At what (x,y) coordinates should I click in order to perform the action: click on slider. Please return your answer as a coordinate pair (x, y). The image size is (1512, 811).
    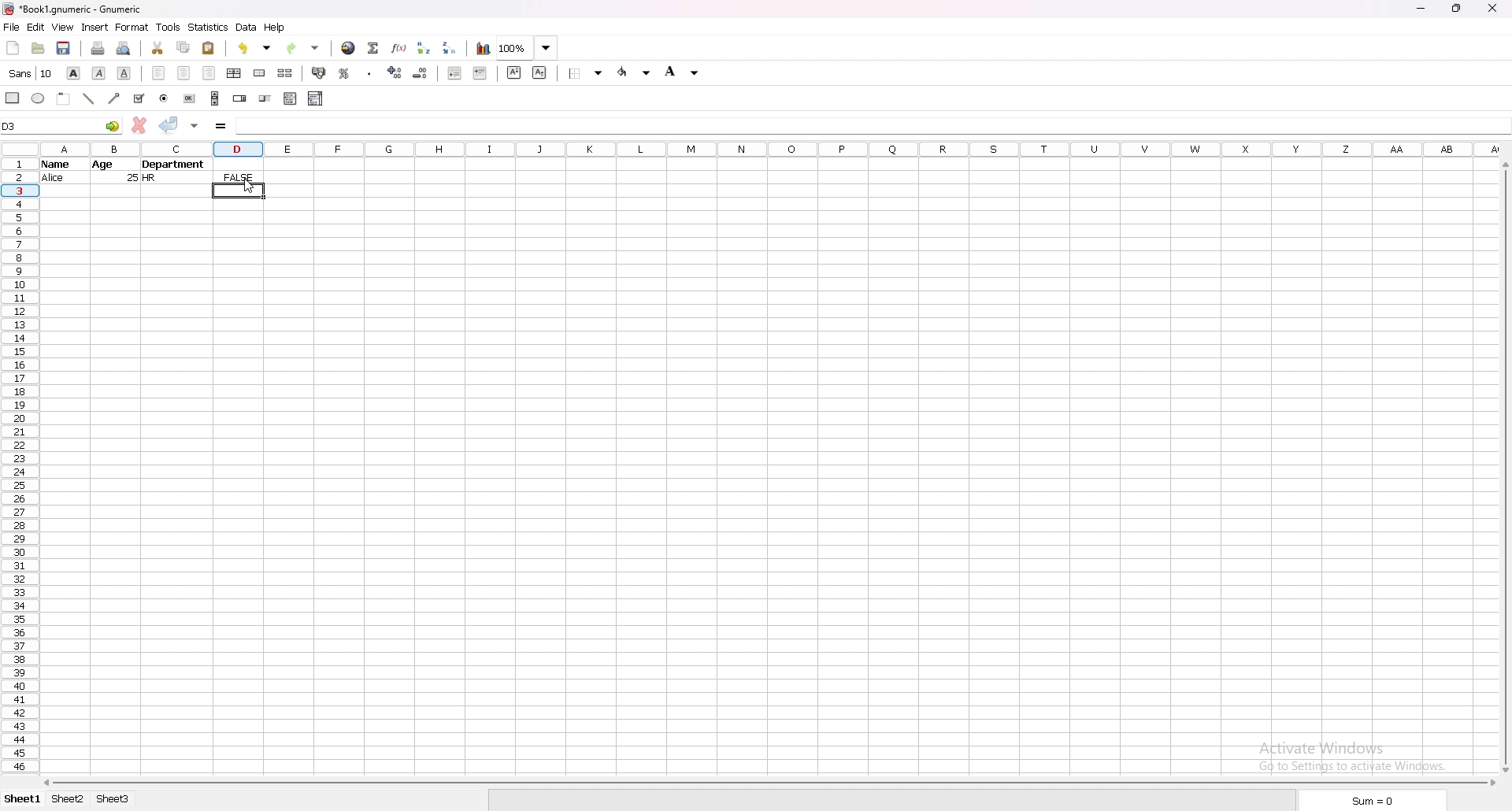
    Looking at the image, I should click on (265, 100).